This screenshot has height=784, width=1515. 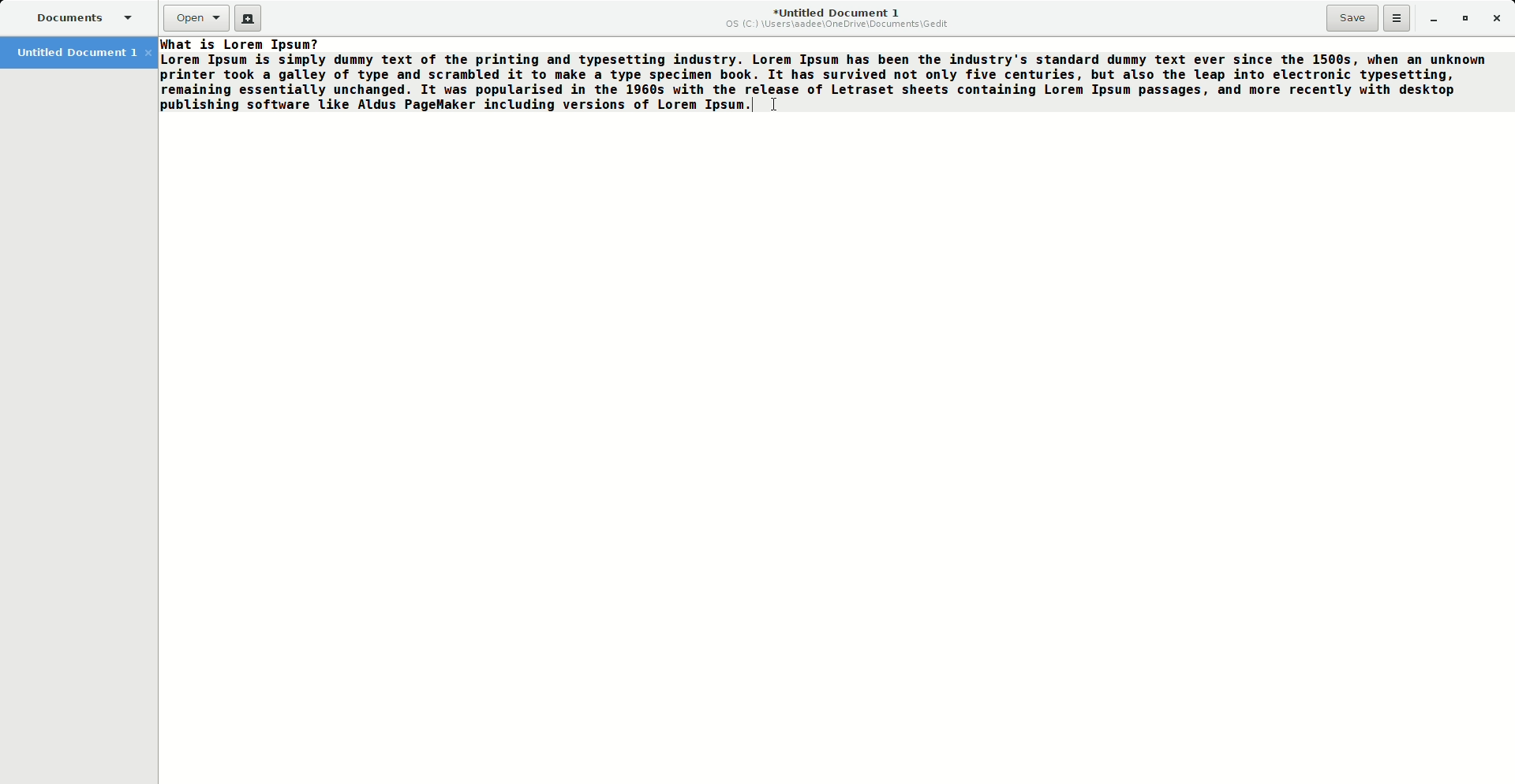 I want to click on Untitled Document 1, so click(x=838, y=18).